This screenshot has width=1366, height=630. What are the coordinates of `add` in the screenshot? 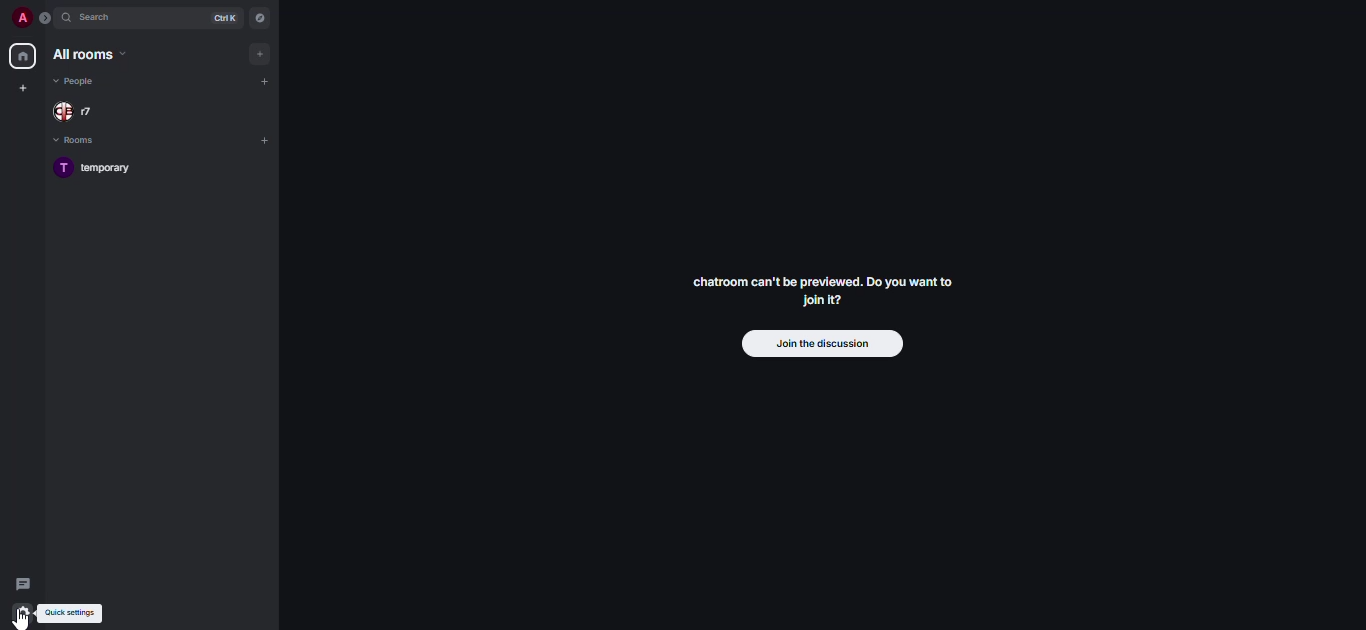 It's located at (267, 82).